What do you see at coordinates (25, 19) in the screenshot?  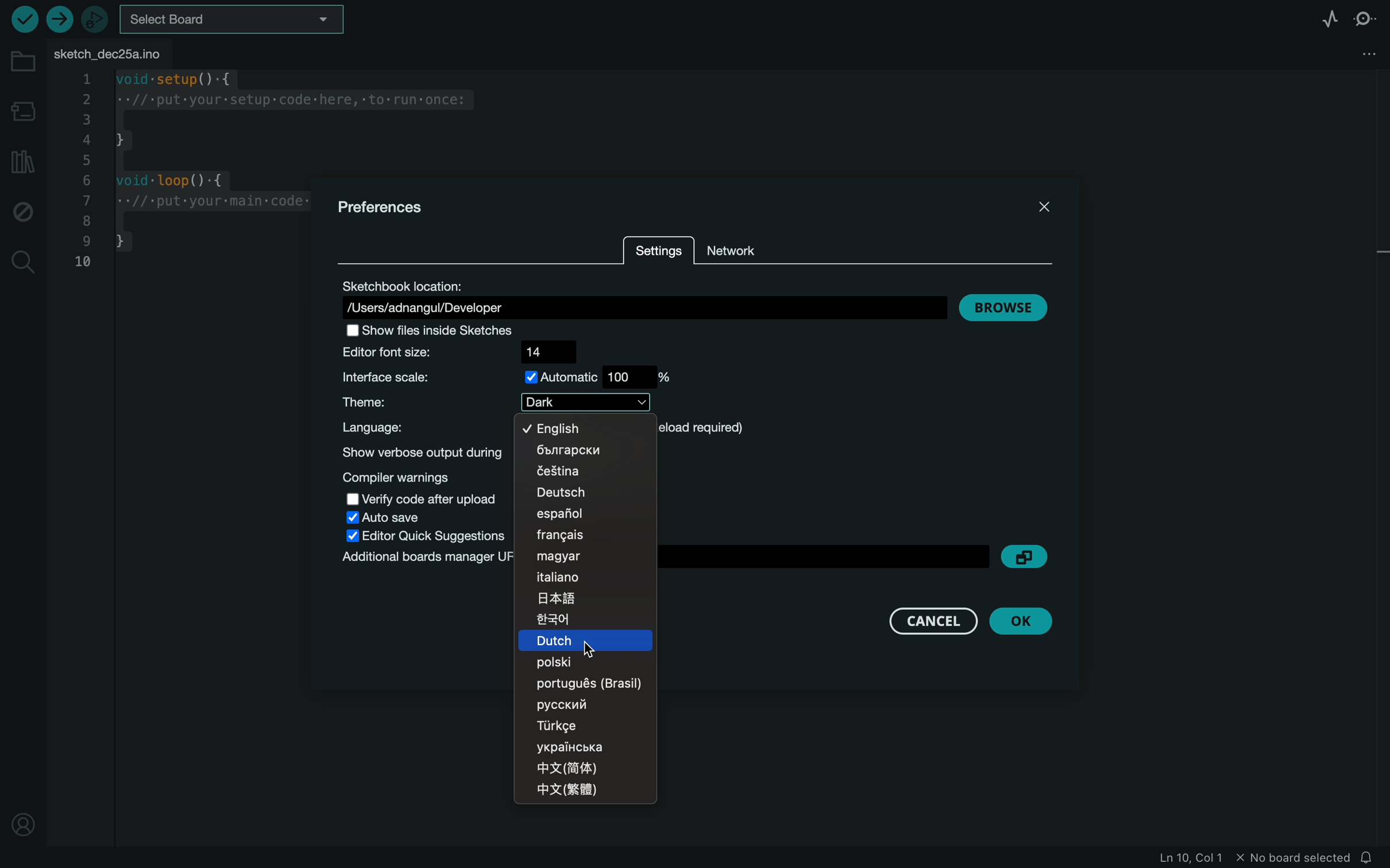 I see `verify` at bounding box center [25, 19].